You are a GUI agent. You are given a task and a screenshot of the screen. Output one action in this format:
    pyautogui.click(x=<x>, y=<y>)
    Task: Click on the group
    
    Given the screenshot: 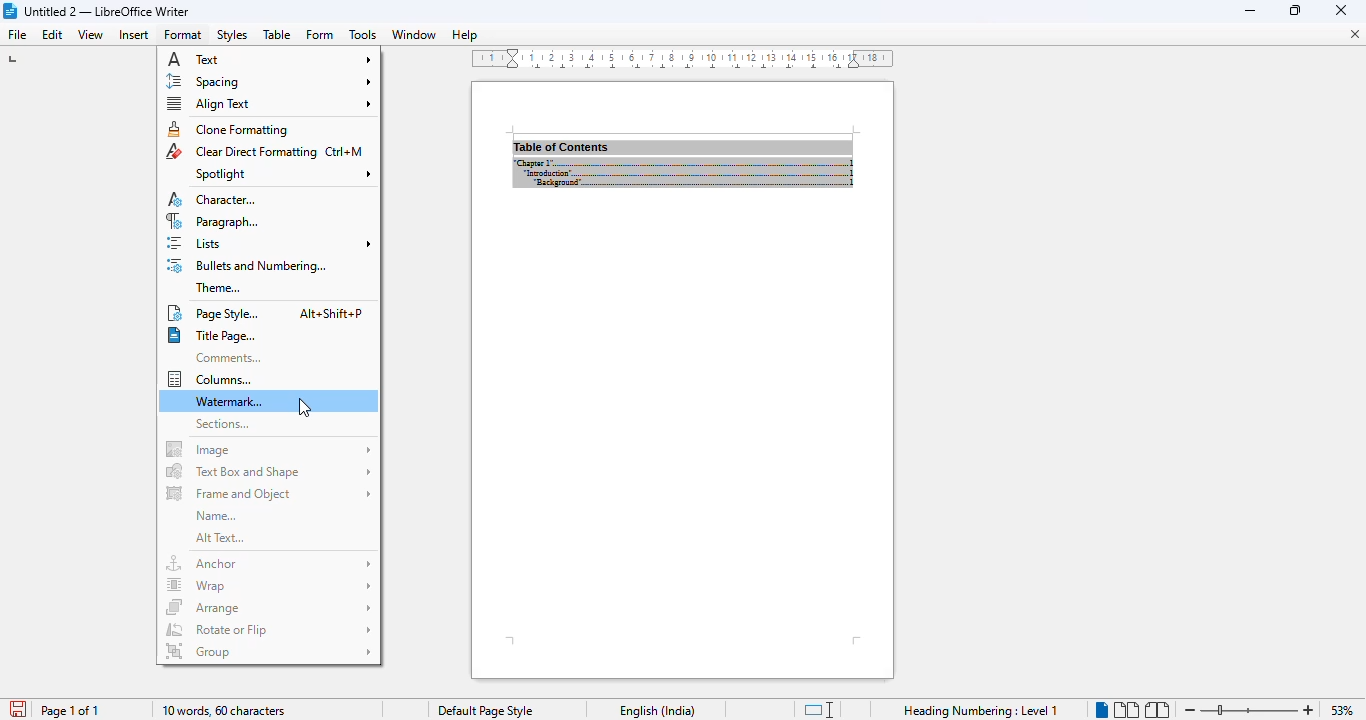 What is the action you would take?
    pyautogui.click(x=268, y=652)
    